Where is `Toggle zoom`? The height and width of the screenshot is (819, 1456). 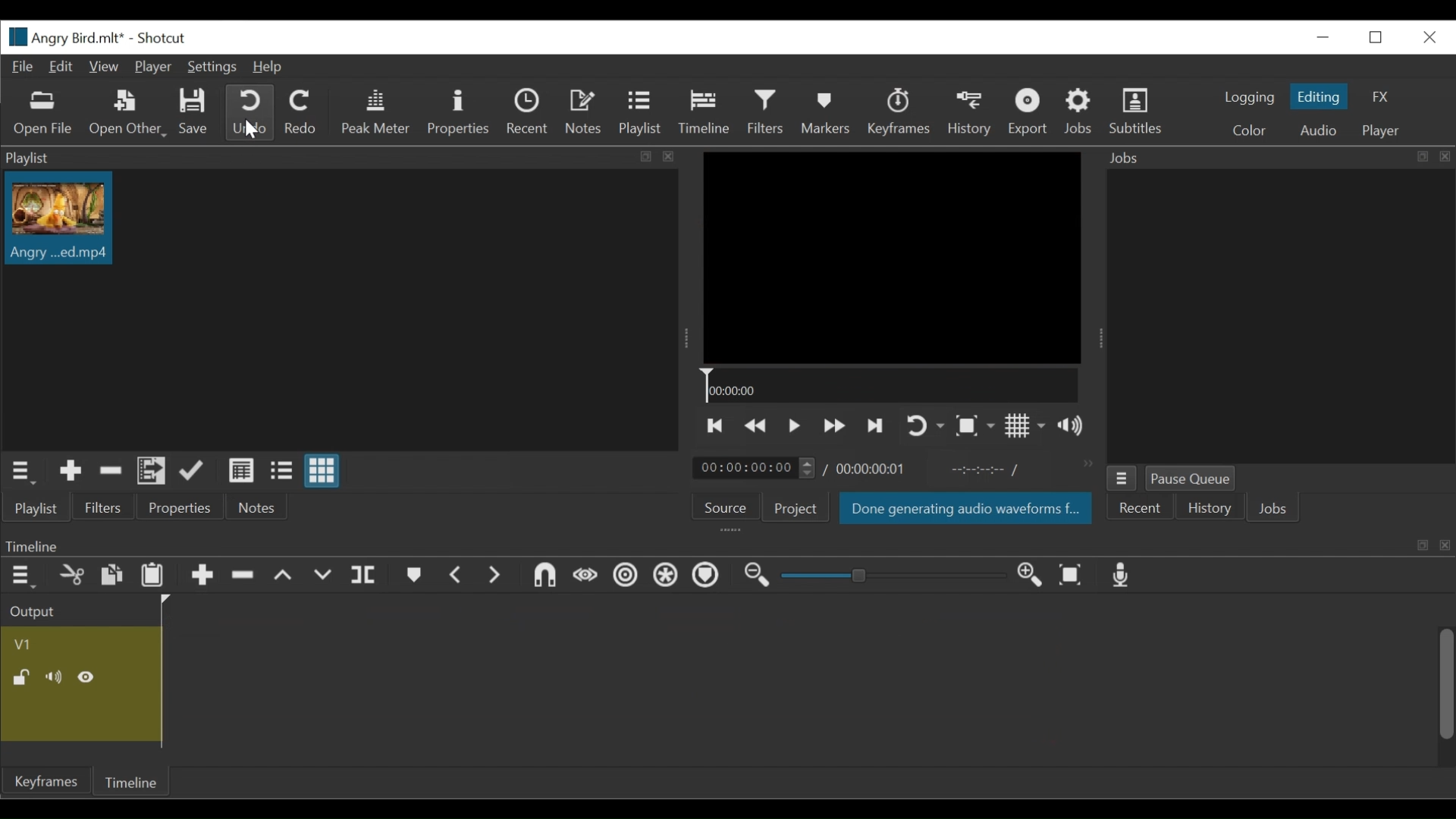
Toggle zoom is located at coordinates (975, 427).